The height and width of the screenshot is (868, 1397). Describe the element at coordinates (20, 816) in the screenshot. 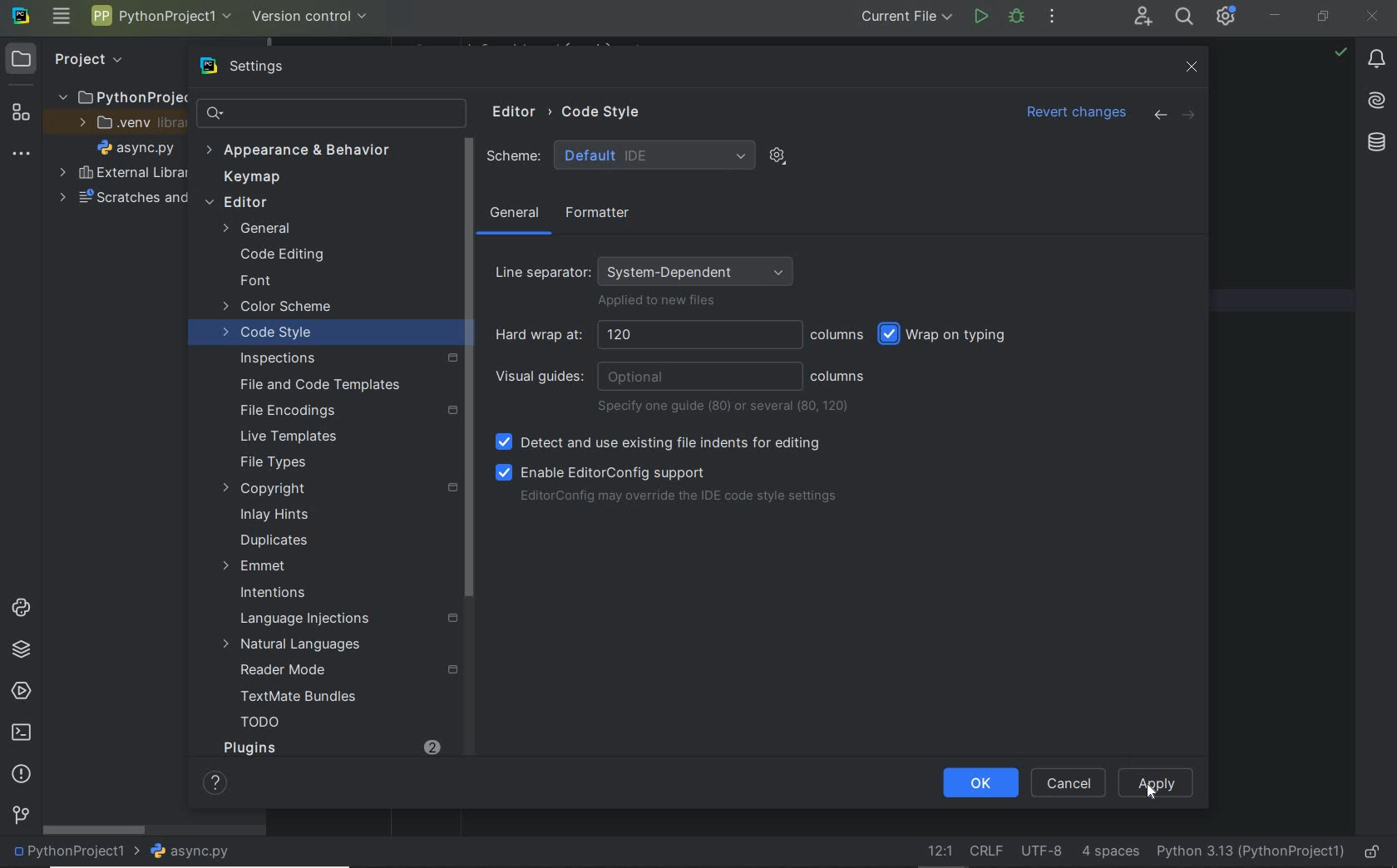

I see `version control` at that location.